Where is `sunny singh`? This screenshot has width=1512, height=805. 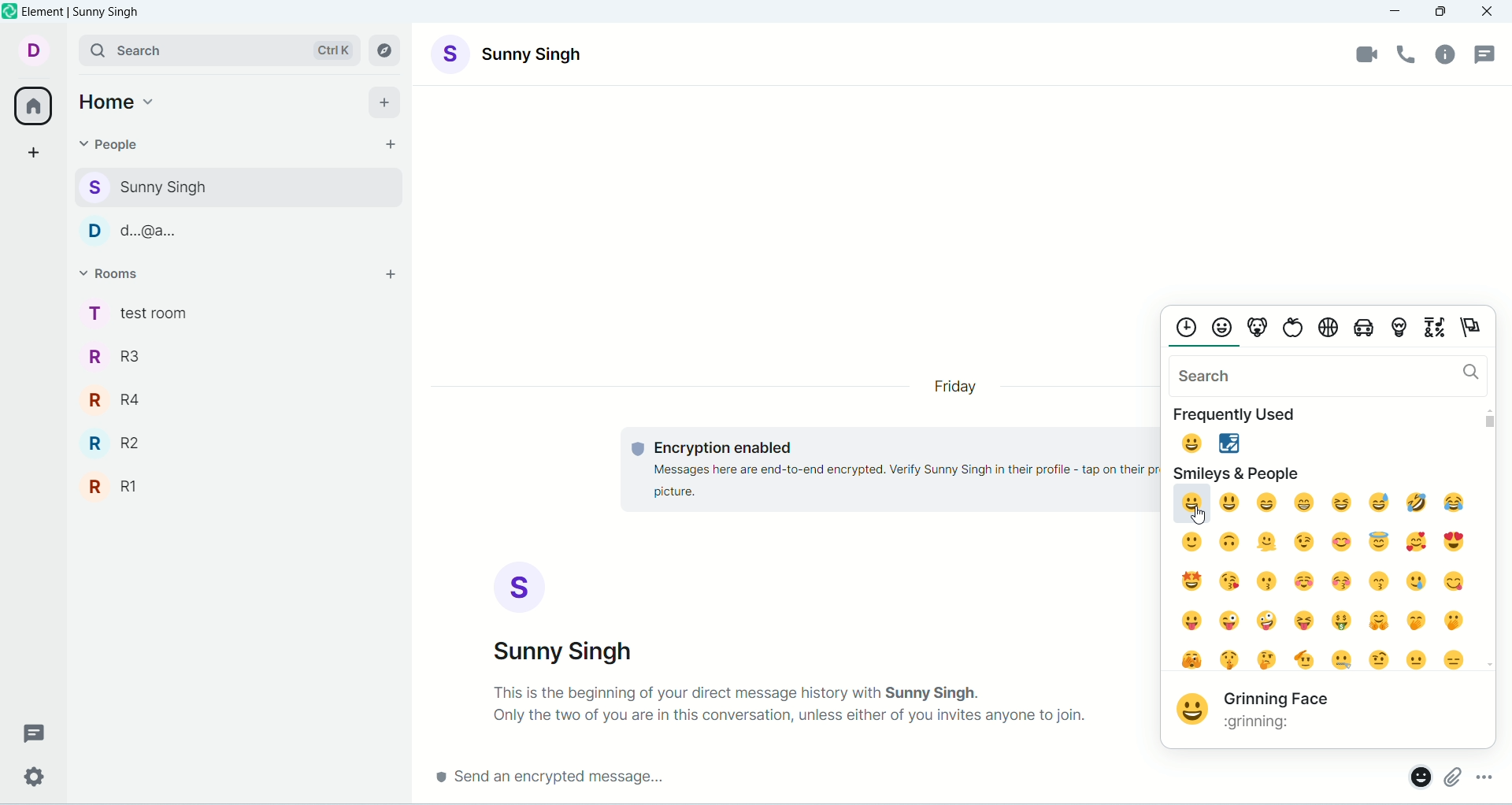 sunny singh is located at coordinates (235, 185).